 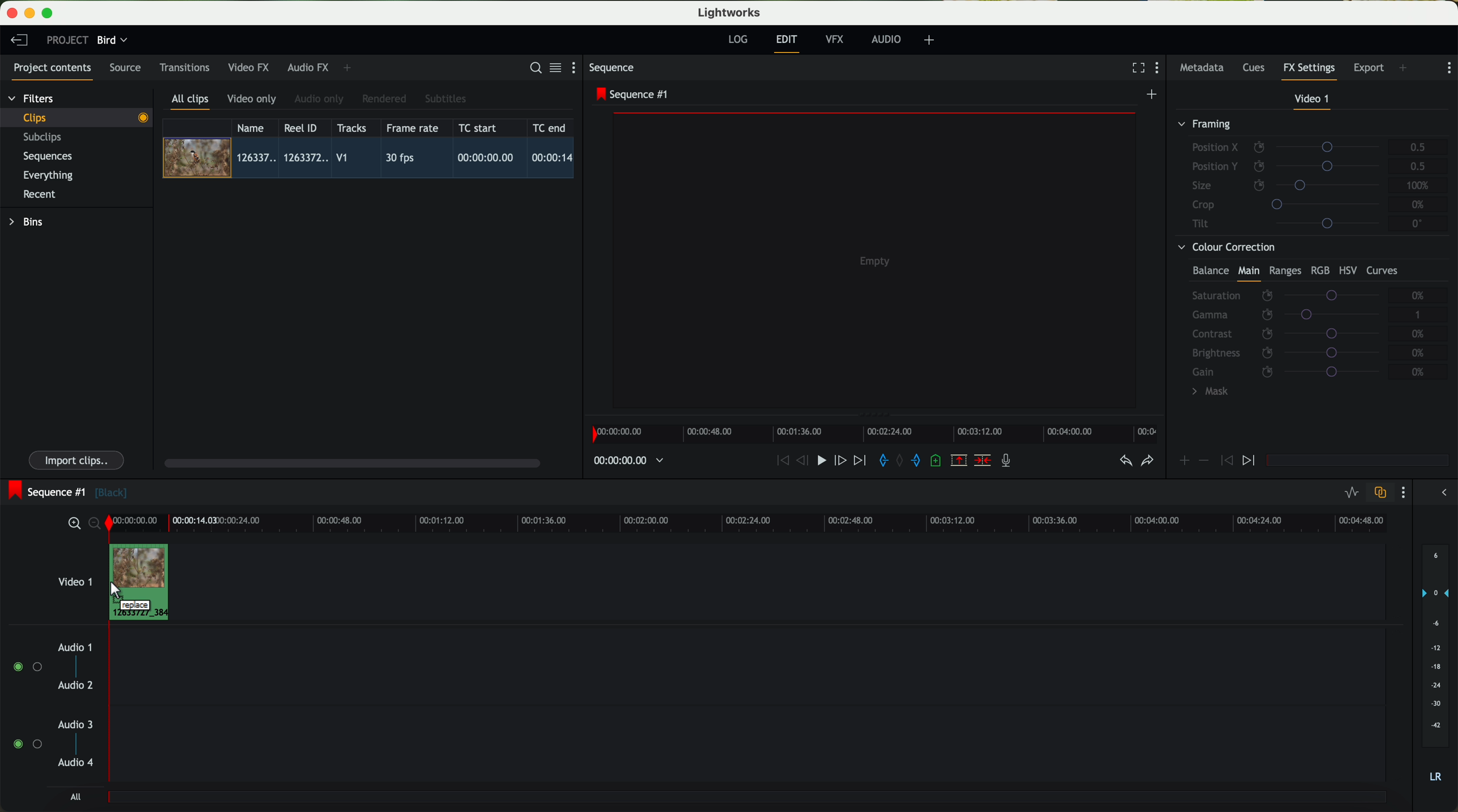 I want to click on search for assets or bins, so click(x=532, y=68).